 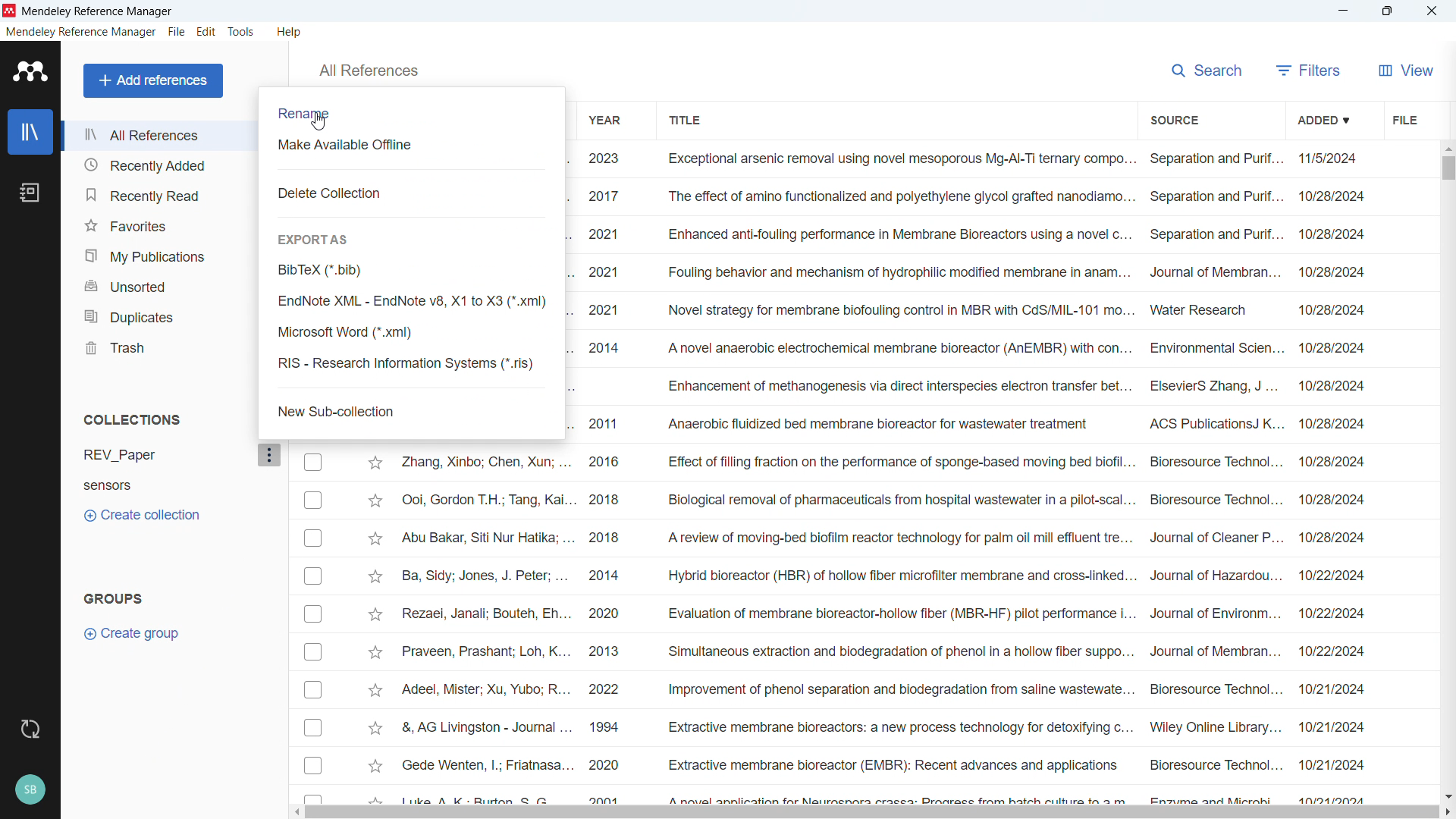 What do you see at coordinates (334, 192) in the screenshot?
I see `Data collection ` at bounding box center [334, 192].